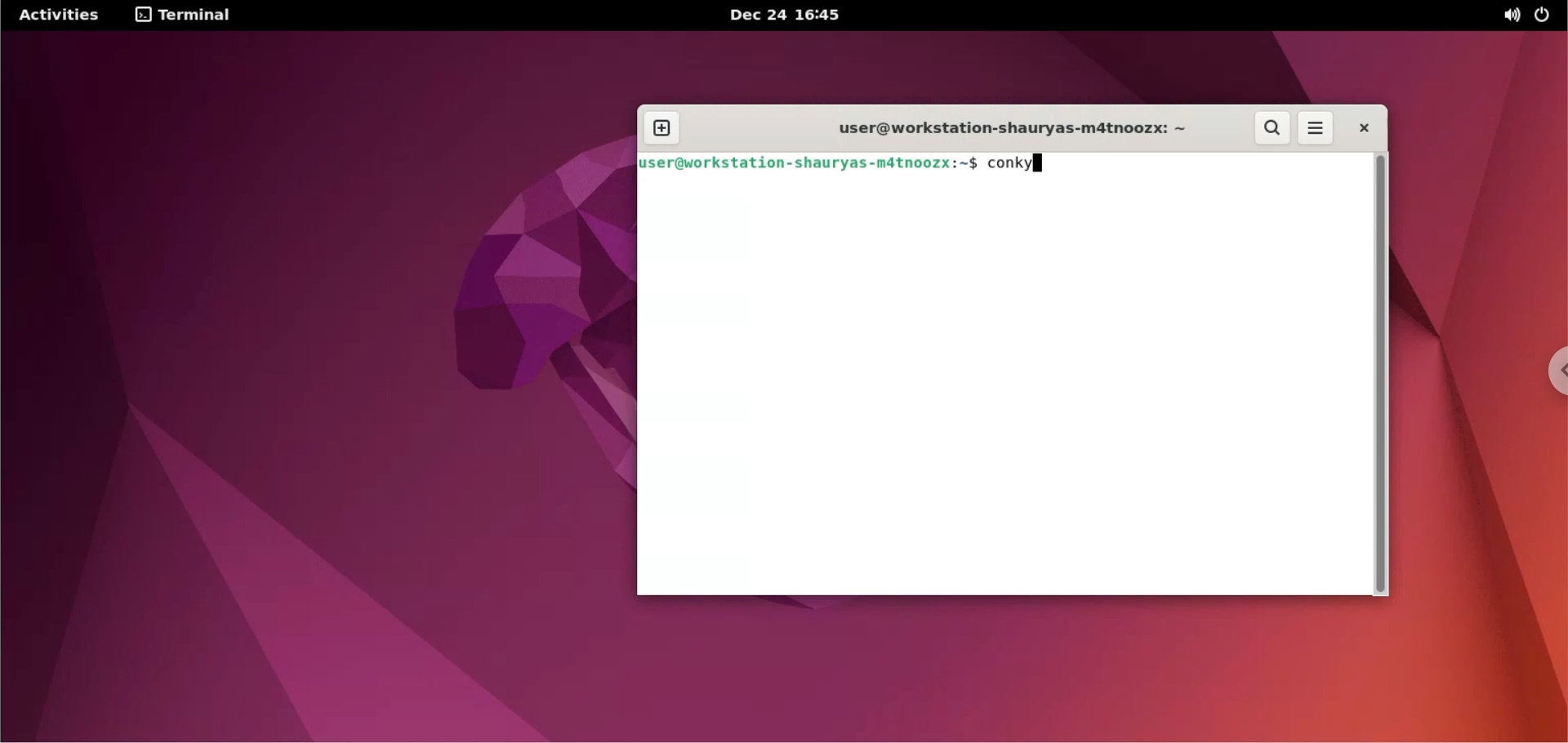  What do you see at coordinates (1512, 16) in the screenshot?
I see `sound options` at bounding box center [1512, 16].